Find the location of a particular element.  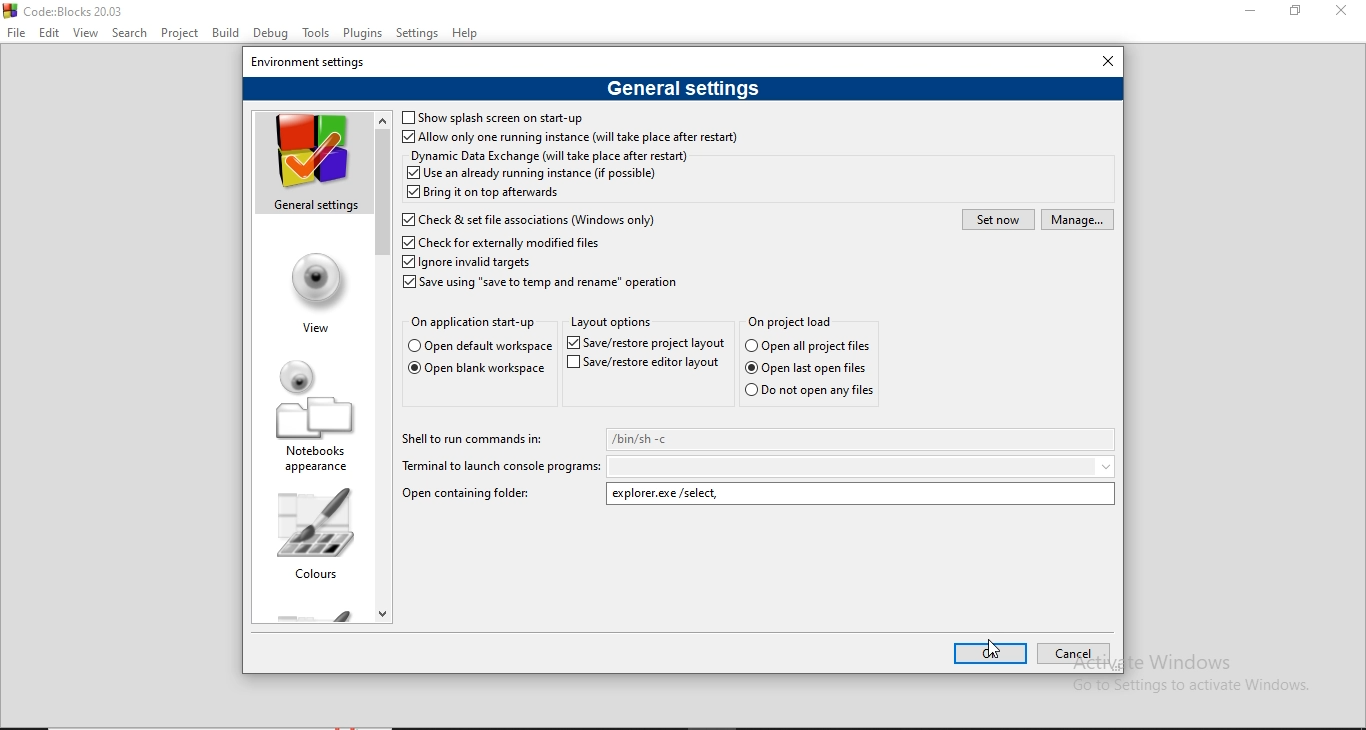

Environment settings is located at coordinates (314, 61).